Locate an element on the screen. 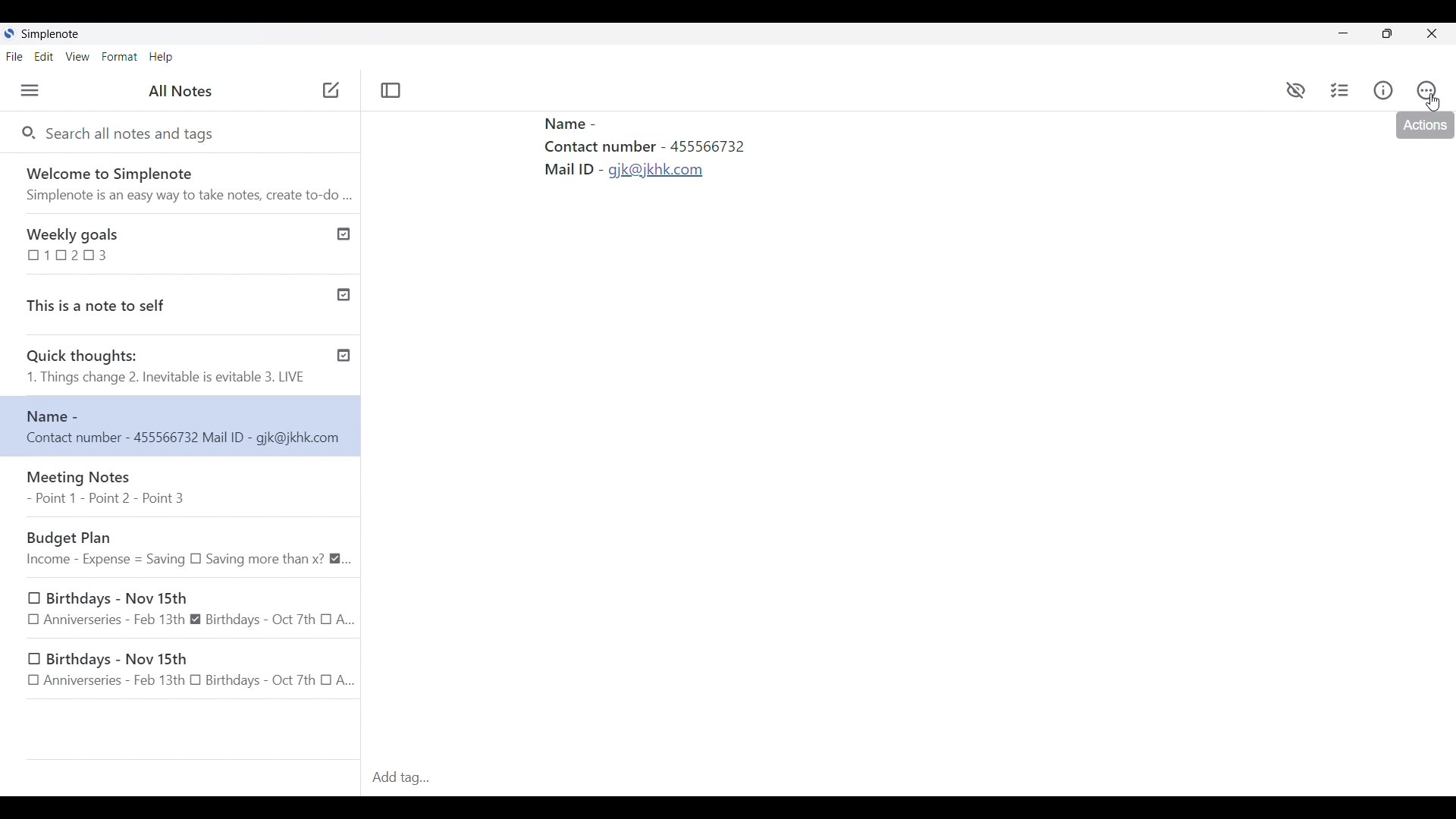 The width and height of the screenshot is (1456, 819). Toggle focus mode is located at coordinates (392, 91).